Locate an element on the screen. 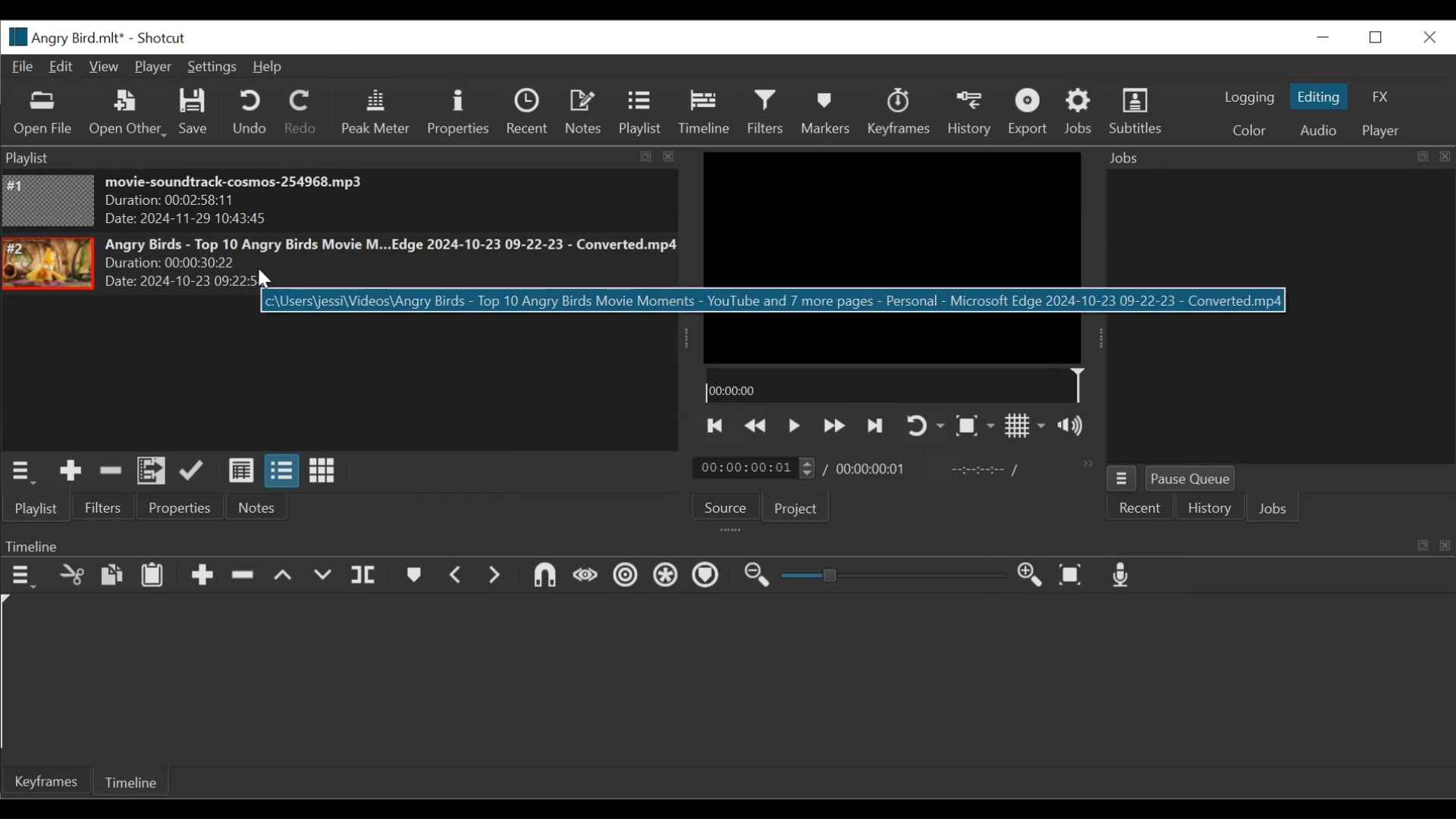 The width and height of the screenshot is (1456, 819). Open Other is located at coordinates (128, 114).